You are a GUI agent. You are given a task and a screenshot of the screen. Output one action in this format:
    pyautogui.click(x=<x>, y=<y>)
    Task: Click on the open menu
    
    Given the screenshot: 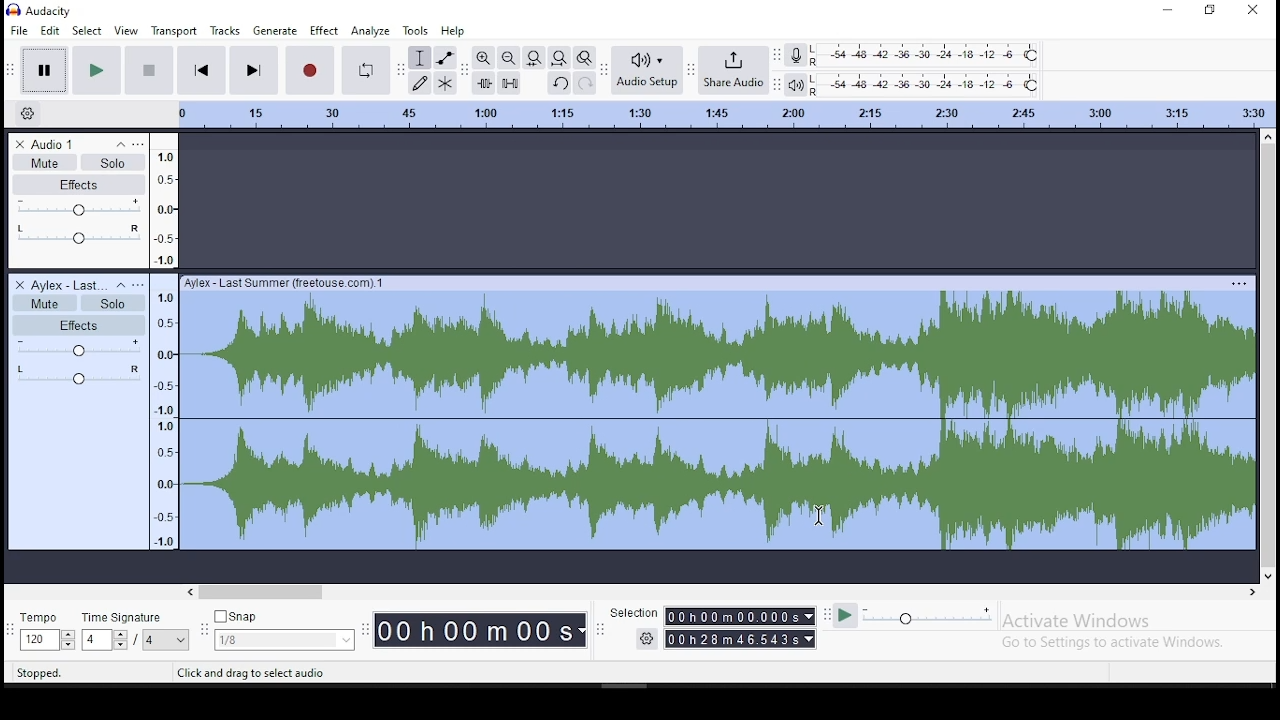 What is the action you would take?
    pyautogui.click(x=140, y=144)
    